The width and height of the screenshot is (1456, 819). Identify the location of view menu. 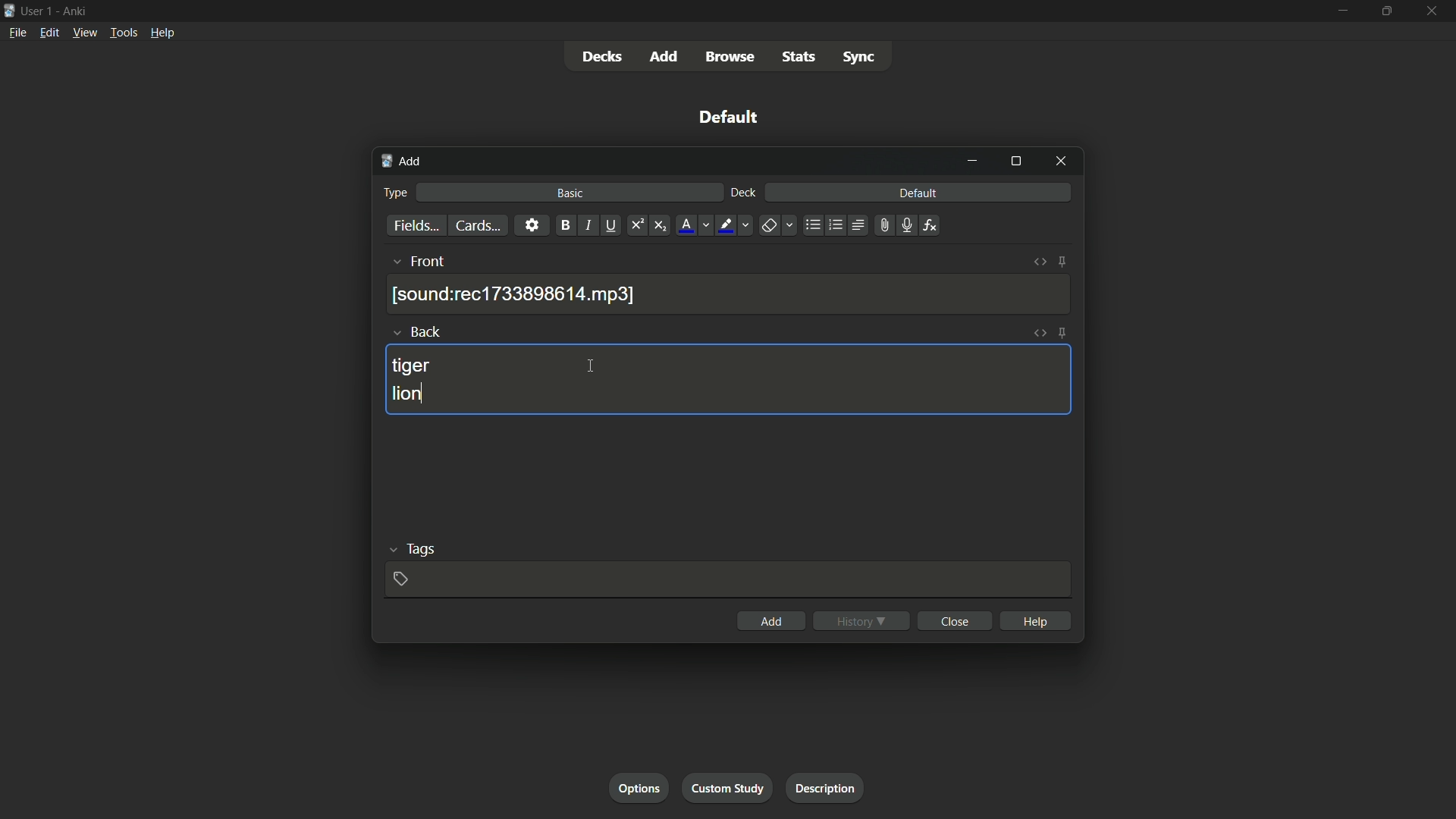
(85, 33).